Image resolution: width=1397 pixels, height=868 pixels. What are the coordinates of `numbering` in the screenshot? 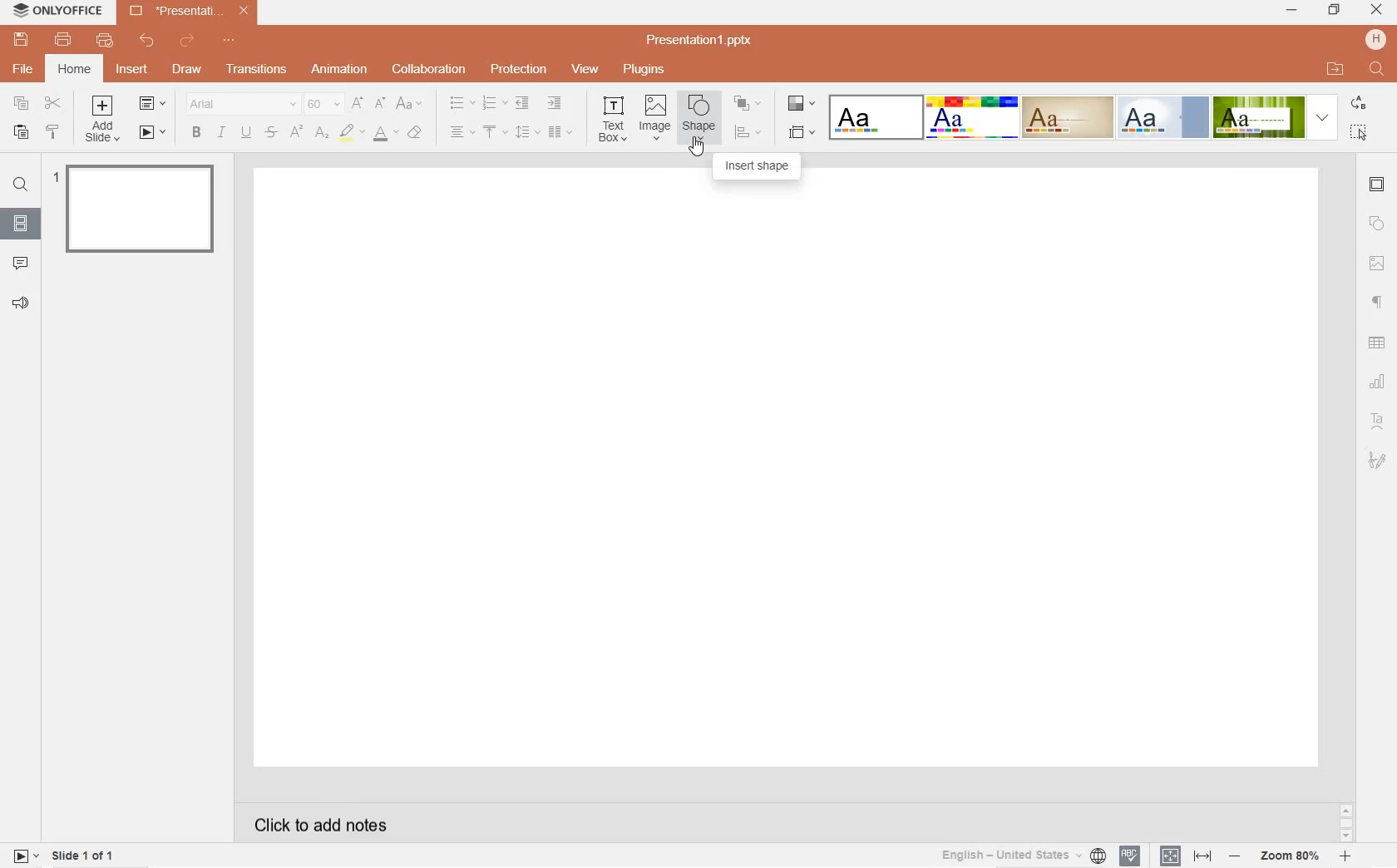 It's located at (493, 104).